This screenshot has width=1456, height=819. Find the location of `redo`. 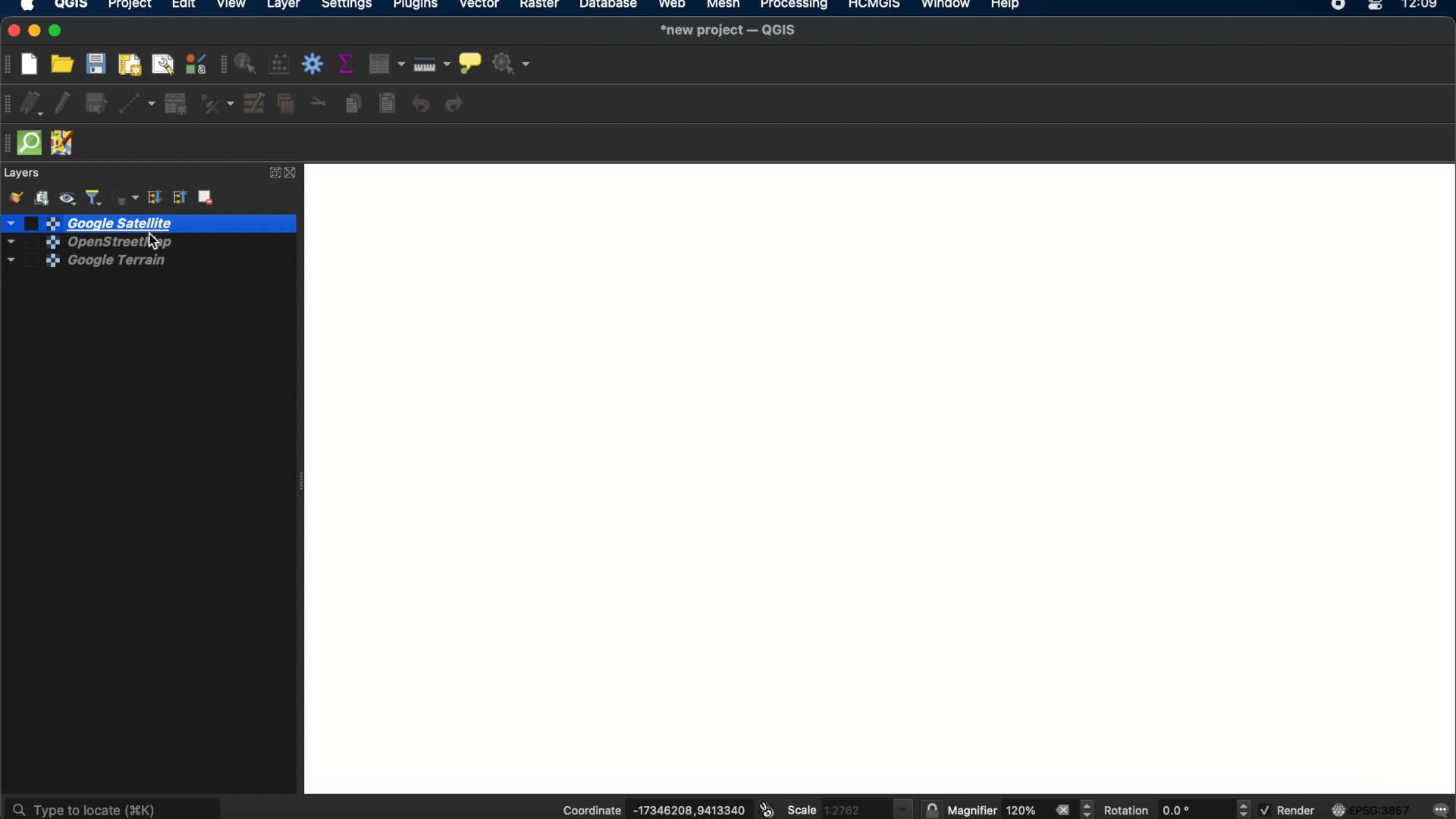

redo is located at coordinates (458, 105).